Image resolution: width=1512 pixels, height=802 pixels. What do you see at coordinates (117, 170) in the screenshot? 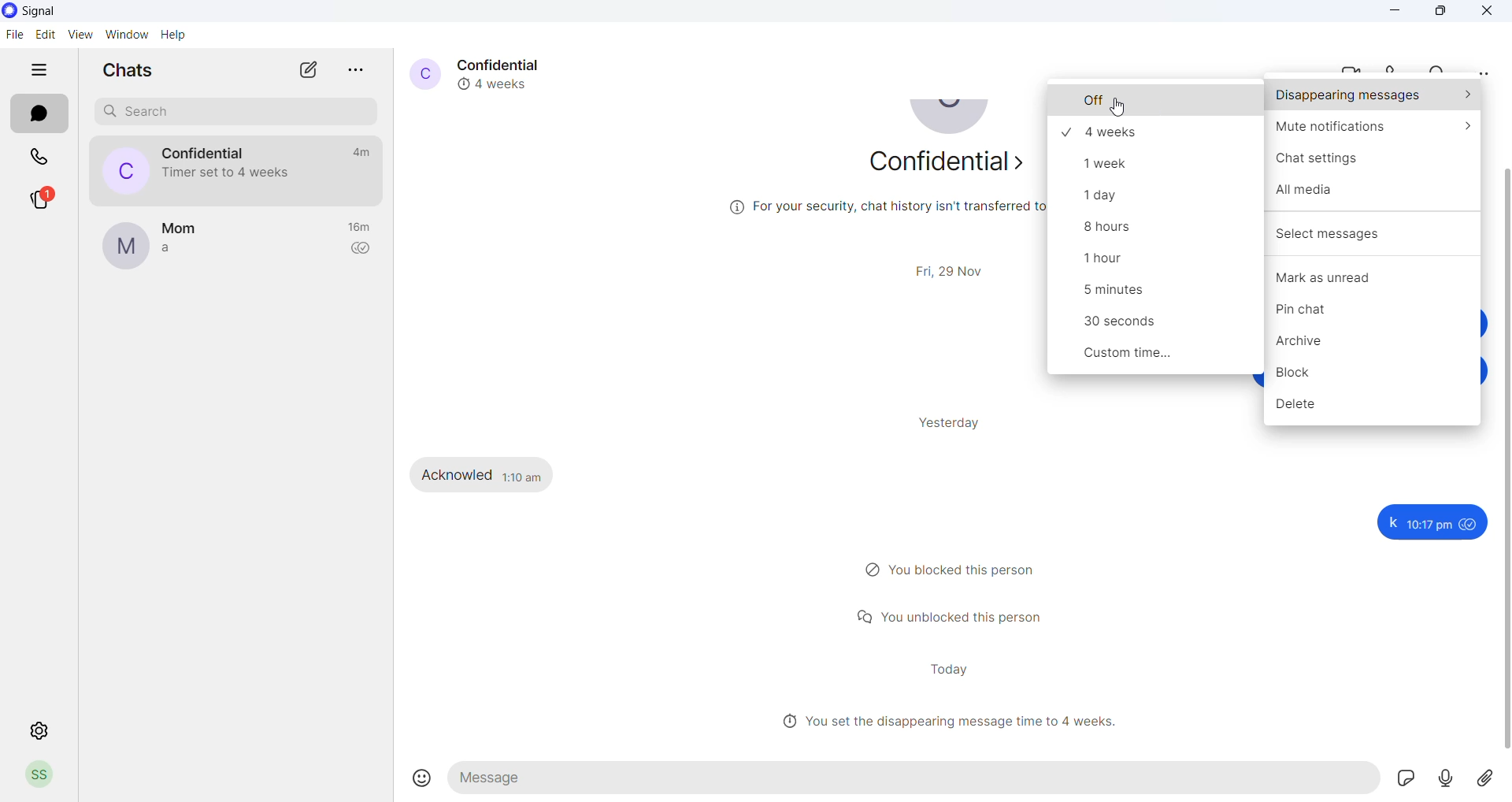
I see `profile picture` at bounding box center [117, 170].